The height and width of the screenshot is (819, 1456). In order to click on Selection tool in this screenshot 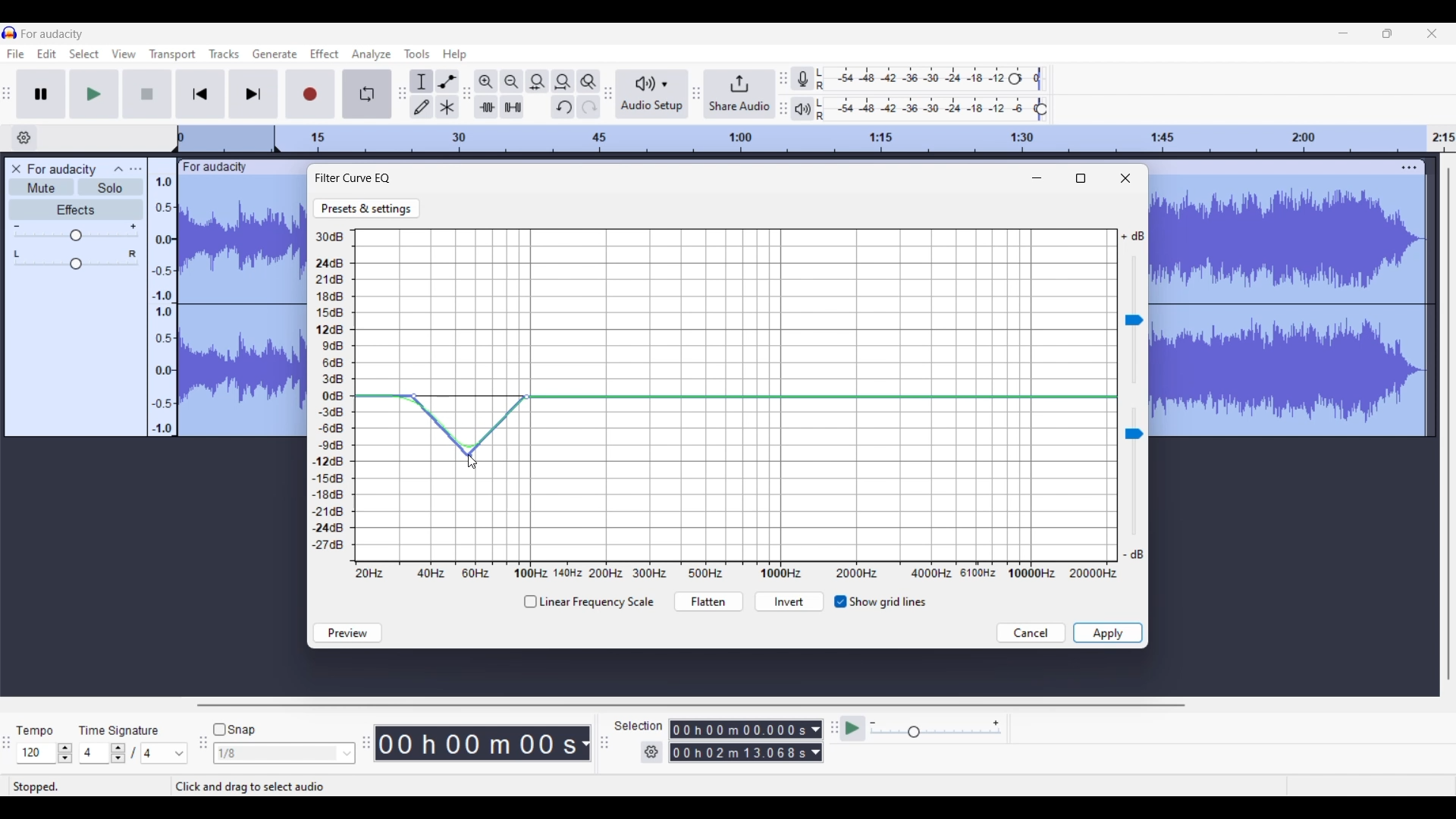, I will do `click(422, 81)`.